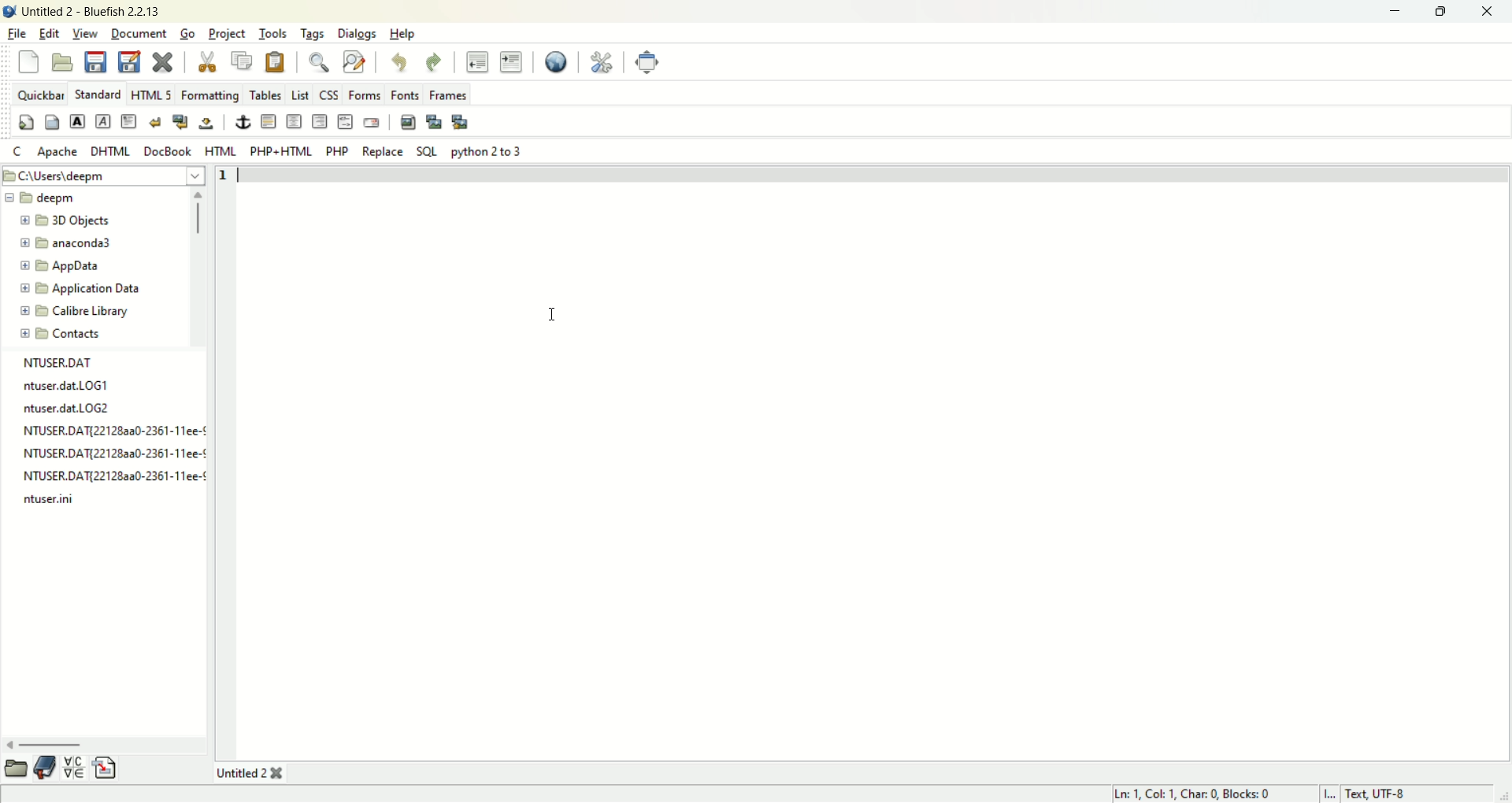 This screenshot has height=803, width=1512. What do you see at coordinates (271, 34) in the screenshot?
I see `tools` at bounding box center [271, 34].